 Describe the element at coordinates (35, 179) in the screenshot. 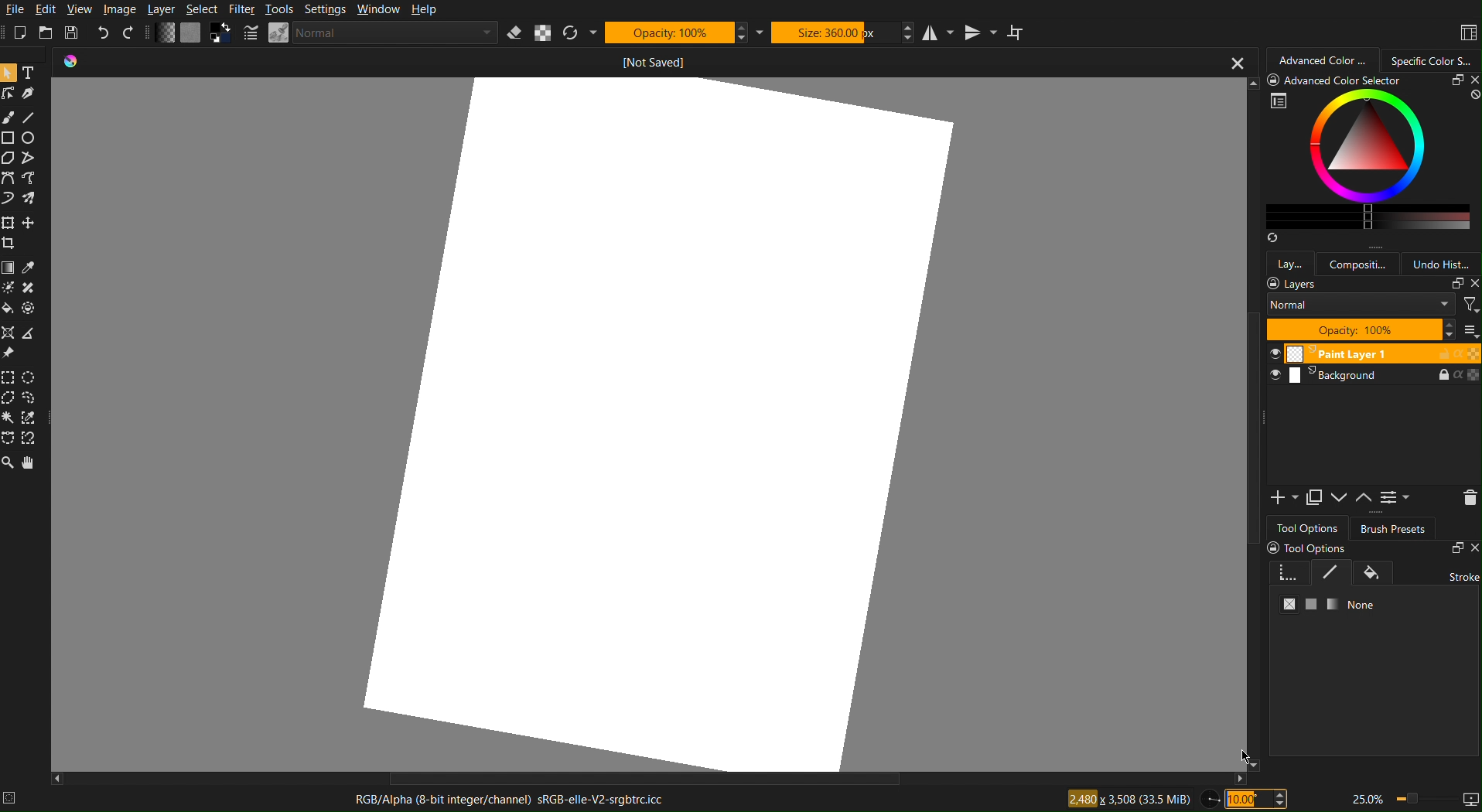

I see `Polyline Tool` at that location.